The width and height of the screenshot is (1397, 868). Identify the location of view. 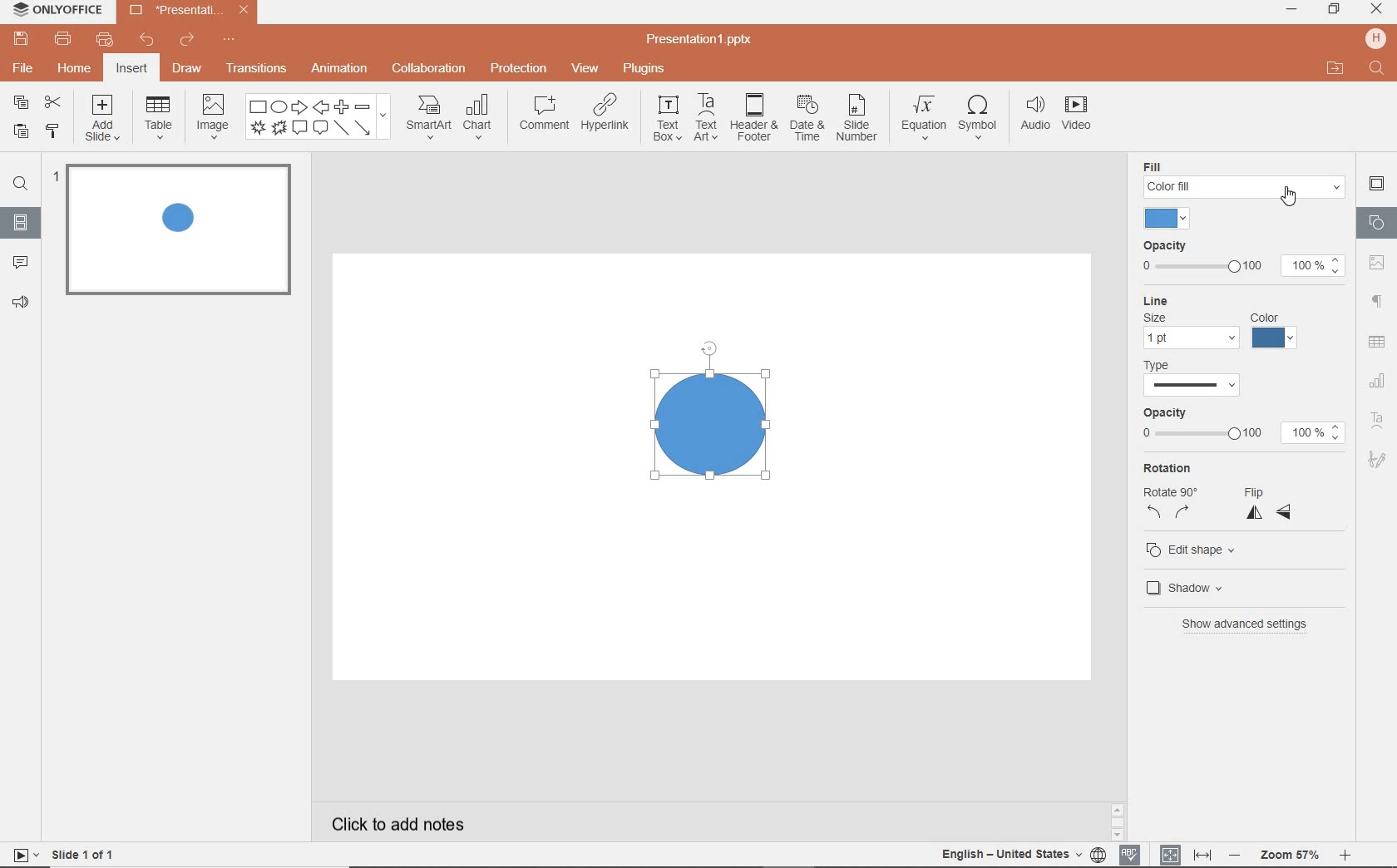
(584, 70).